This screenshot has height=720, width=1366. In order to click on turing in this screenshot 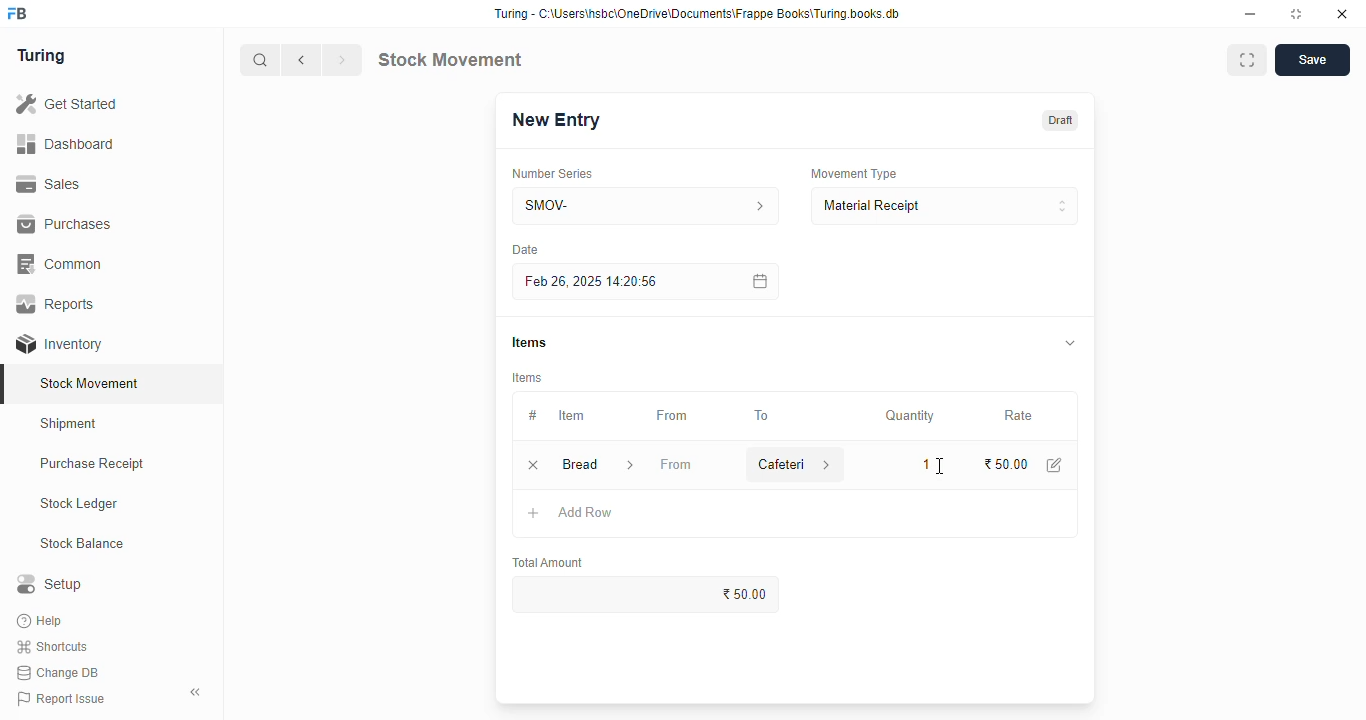, I will do `click(42, 56)`.